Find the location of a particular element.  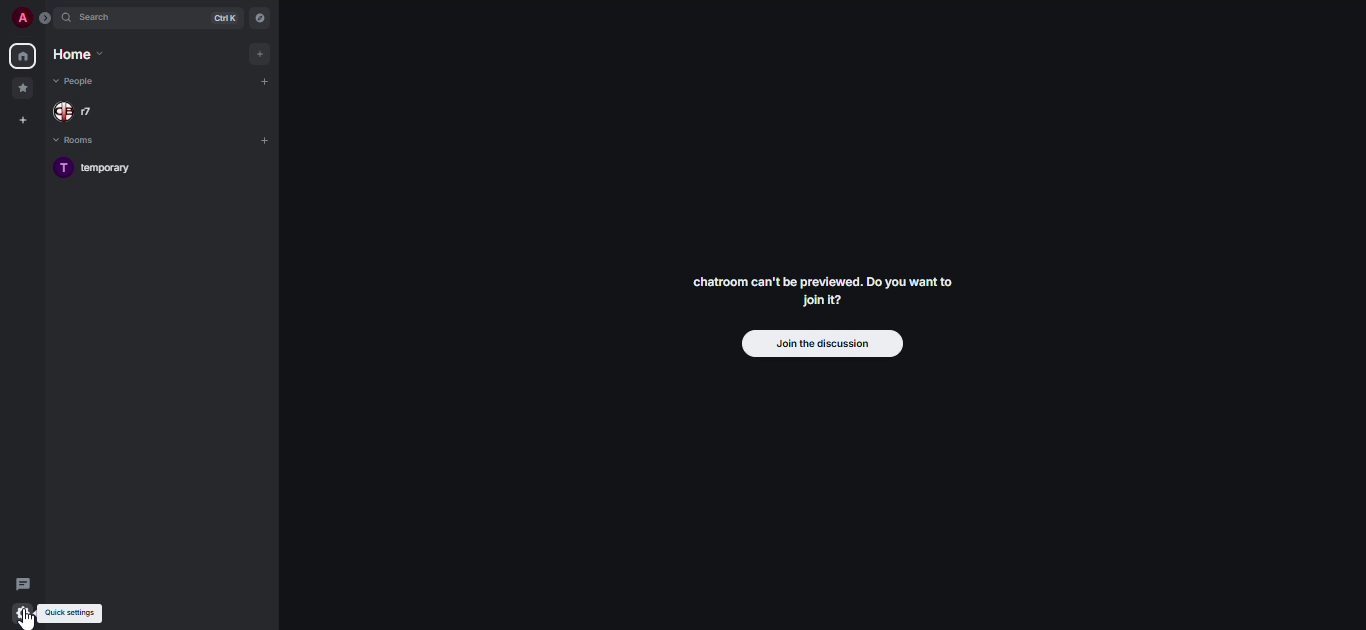

expand is located at coordinates (42, 18).